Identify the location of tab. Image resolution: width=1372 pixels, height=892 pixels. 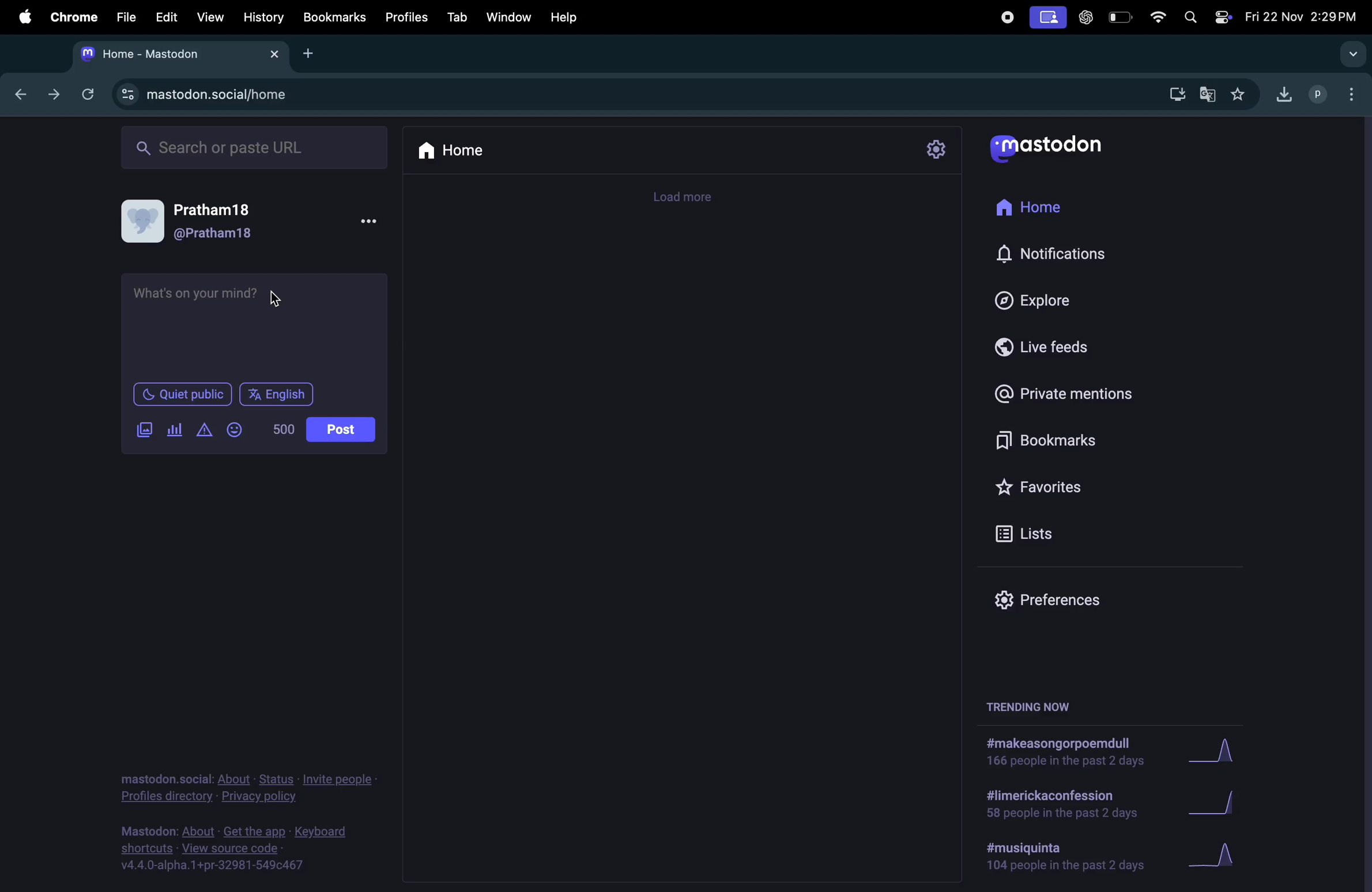
(455, 16).